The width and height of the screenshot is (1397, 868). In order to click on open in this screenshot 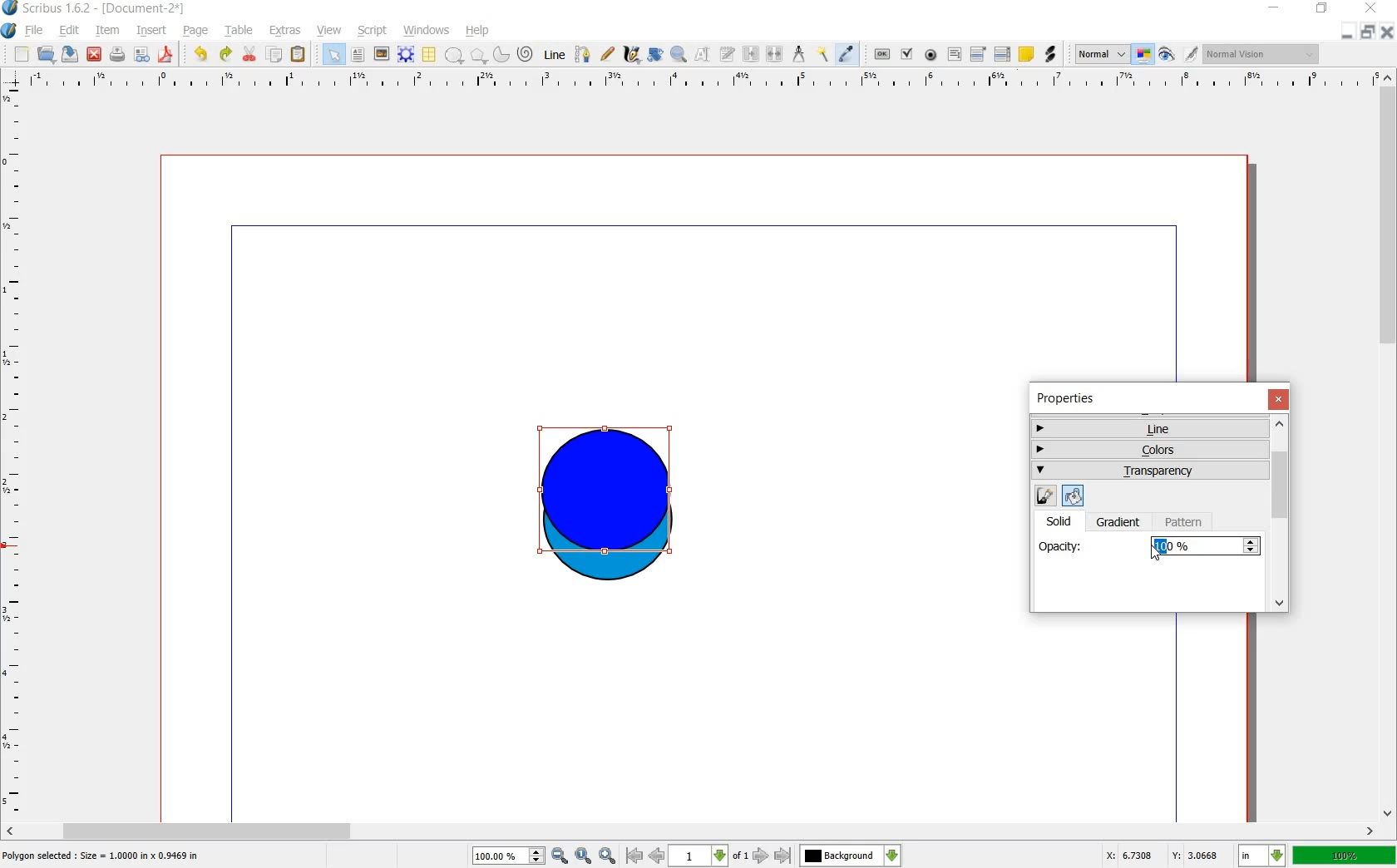, I will do `click(45, 54)`.